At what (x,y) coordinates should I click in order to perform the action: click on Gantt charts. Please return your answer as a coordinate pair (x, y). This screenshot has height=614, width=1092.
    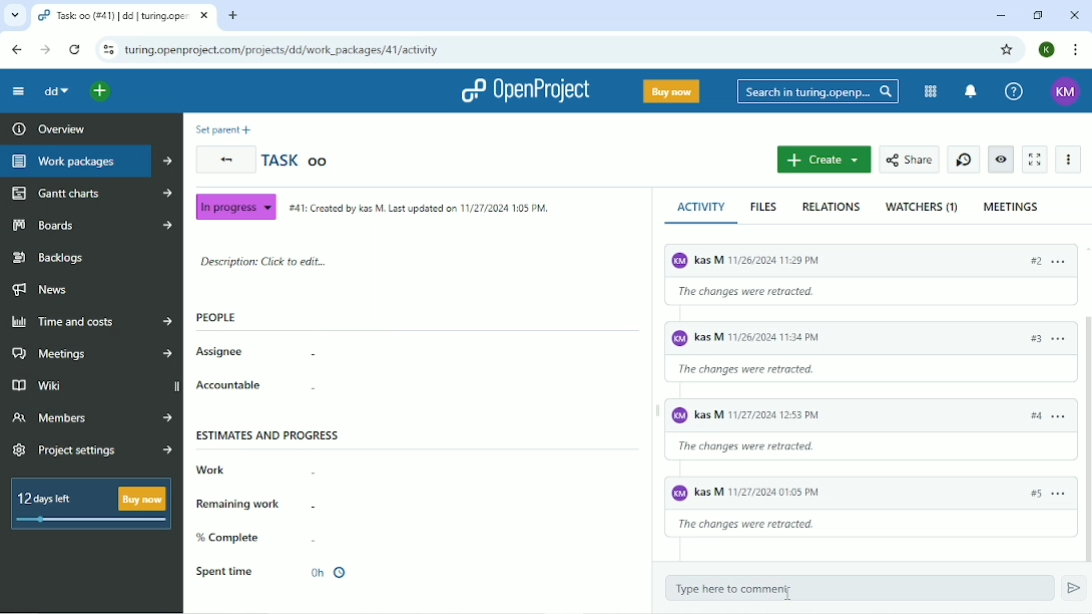
    Looking at the image, I should click on (90, 193).